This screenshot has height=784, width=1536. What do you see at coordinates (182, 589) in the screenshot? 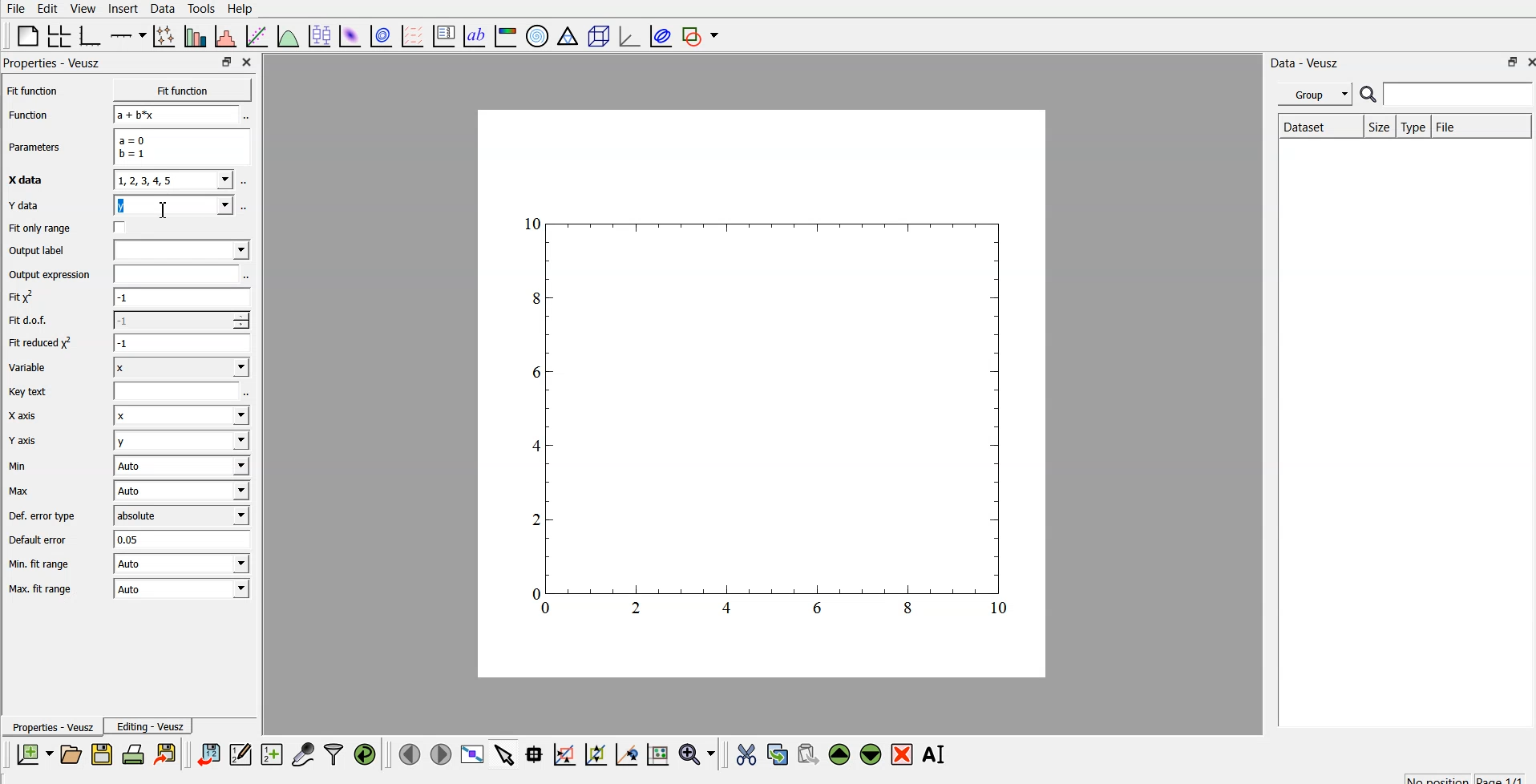
I see `Auto` at bounding box center [182, 589].